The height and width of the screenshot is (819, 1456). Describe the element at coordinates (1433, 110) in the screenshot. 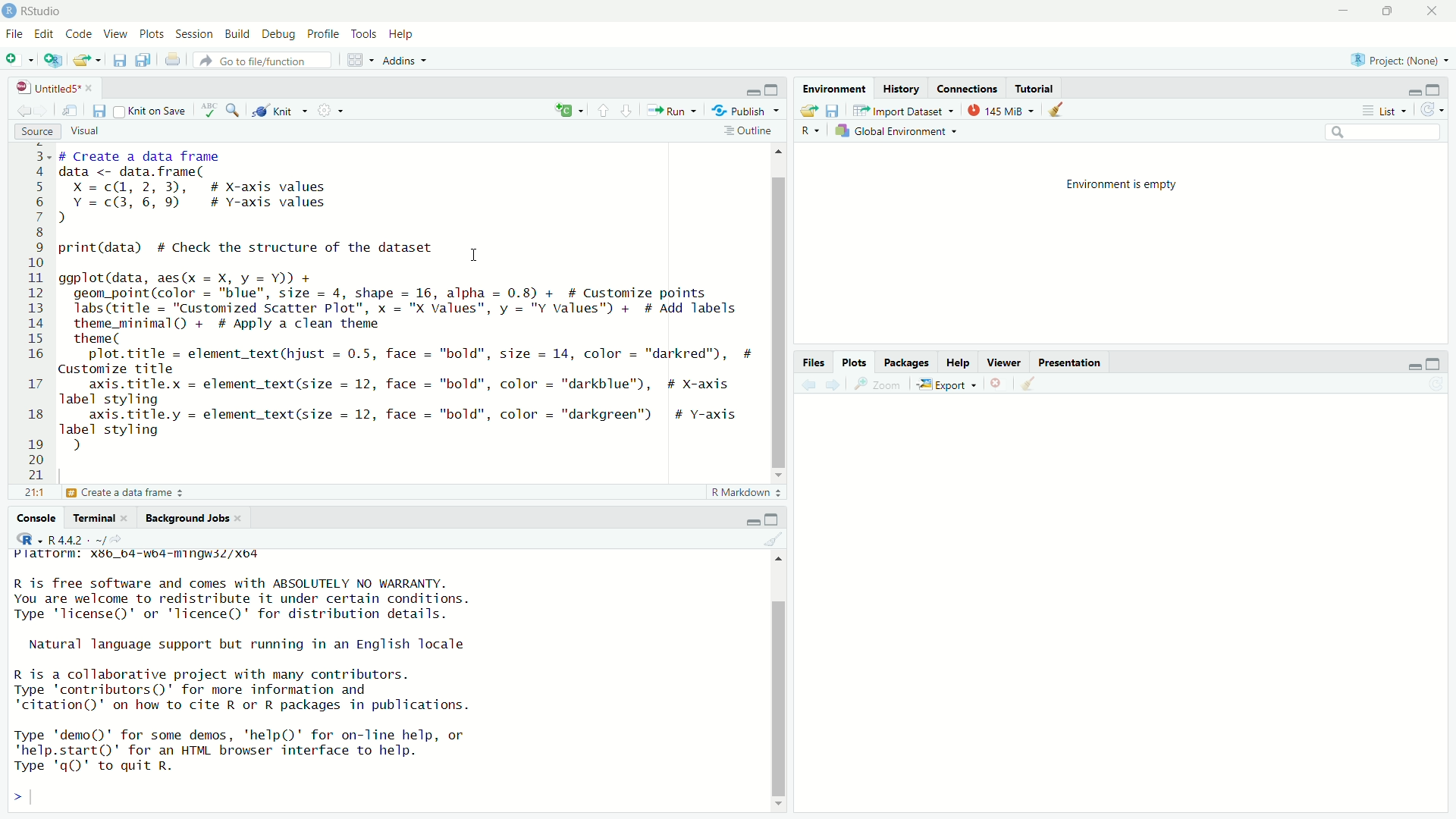

I see `Refresh the list oof object in the Environment` at that location.